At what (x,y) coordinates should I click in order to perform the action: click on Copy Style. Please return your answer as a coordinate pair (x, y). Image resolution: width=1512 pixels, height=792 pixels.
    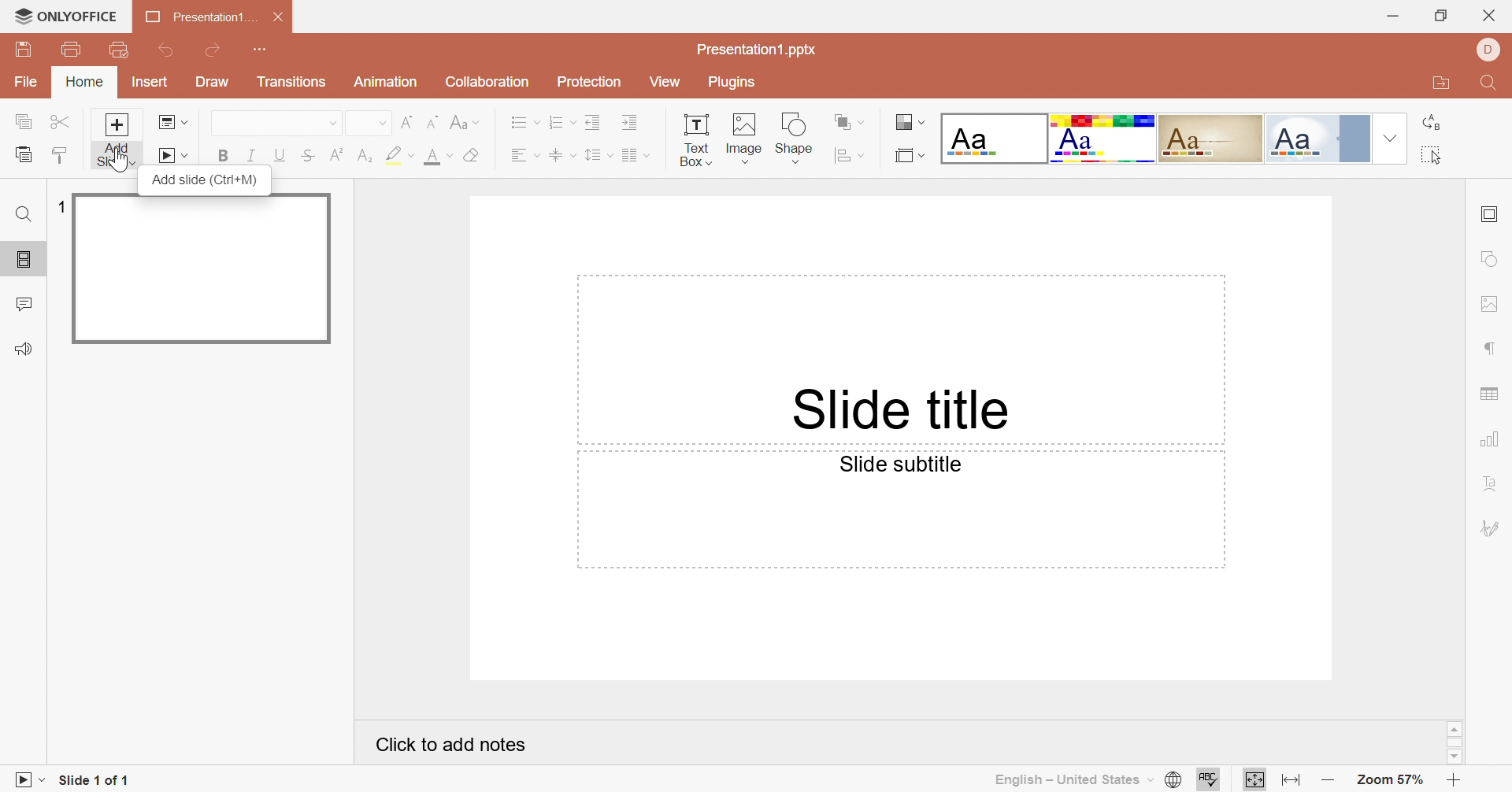
    Looking at the image, I should click on (62, 156).